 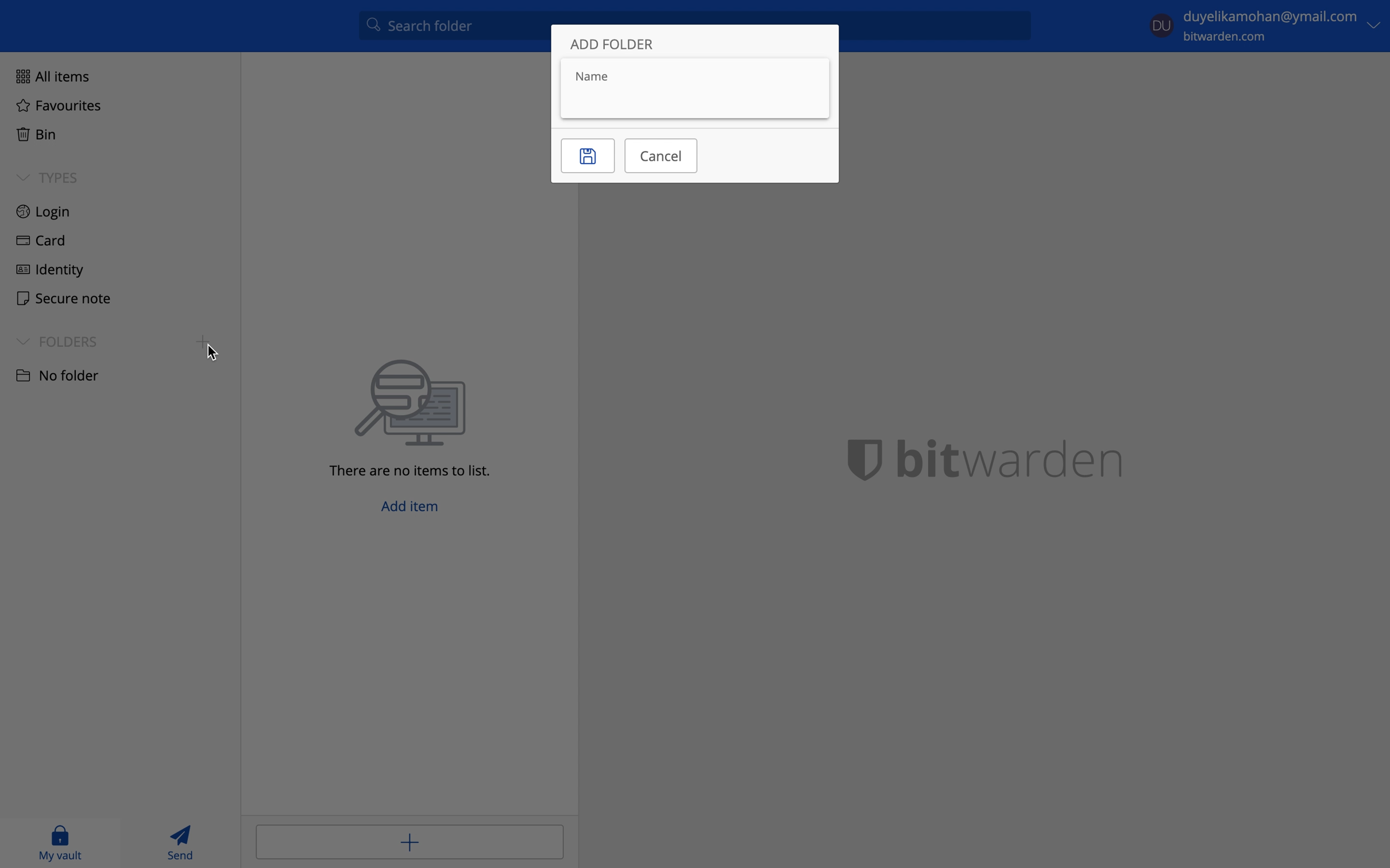 I want to click on login email id, so click(x=1270, y=17).